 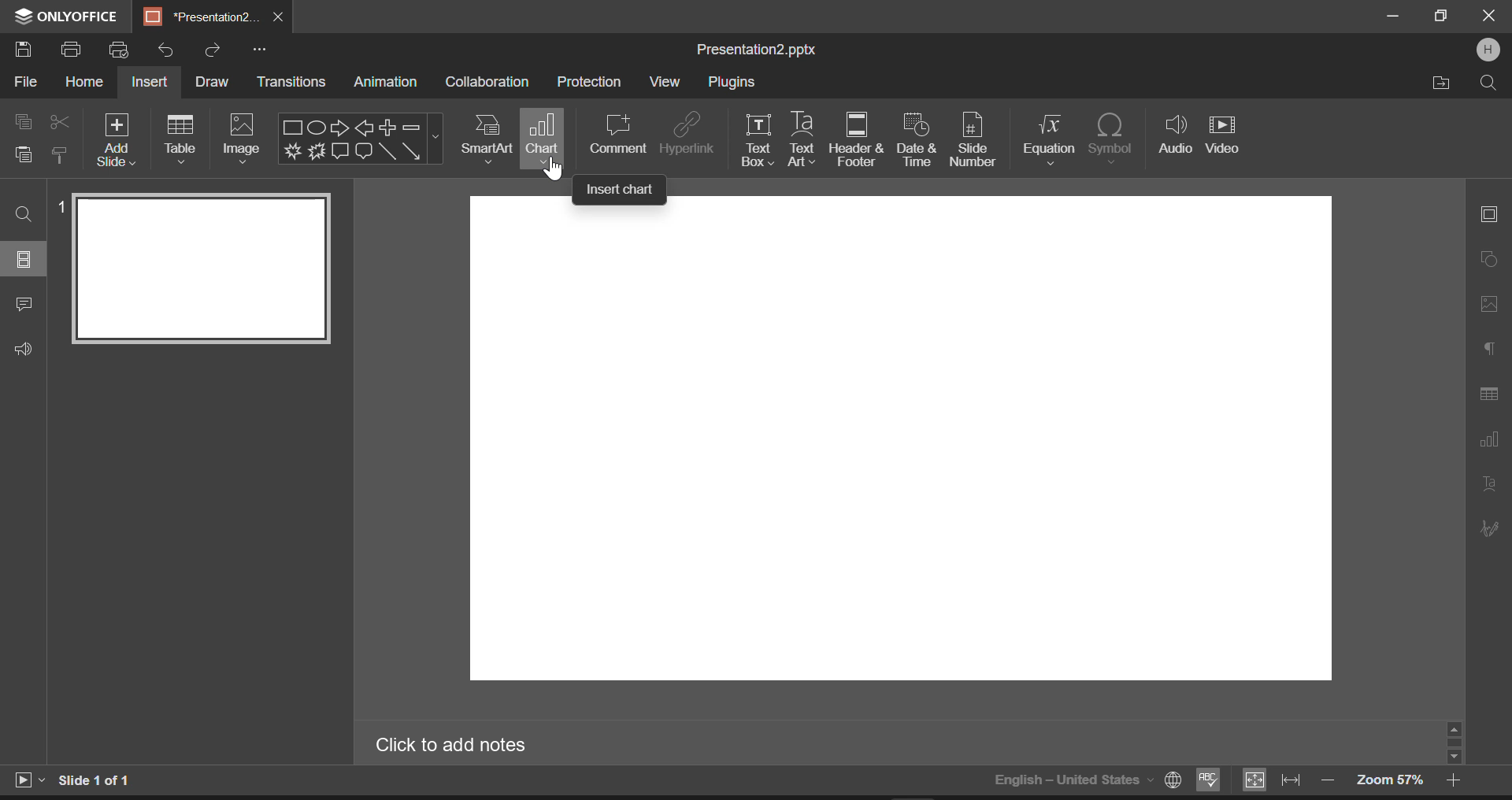 What do you see at coordinates (1291, 780) in the screenshot?
I see `Fit to width` at bounding box center [1291, 780].